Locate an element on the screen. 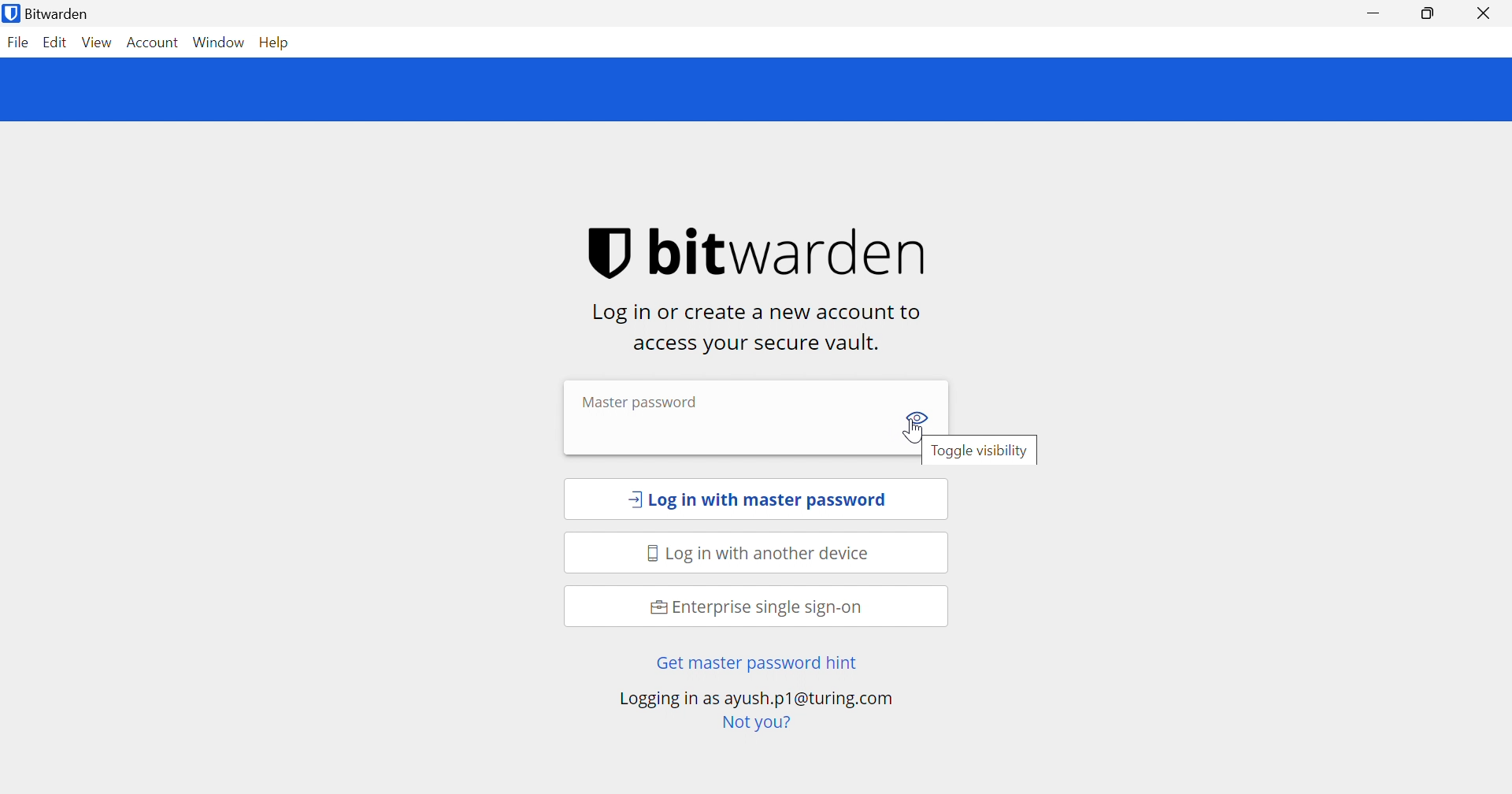 The image size is (1512, 794). Toggle Visibility is located at coordinates (981, 453).